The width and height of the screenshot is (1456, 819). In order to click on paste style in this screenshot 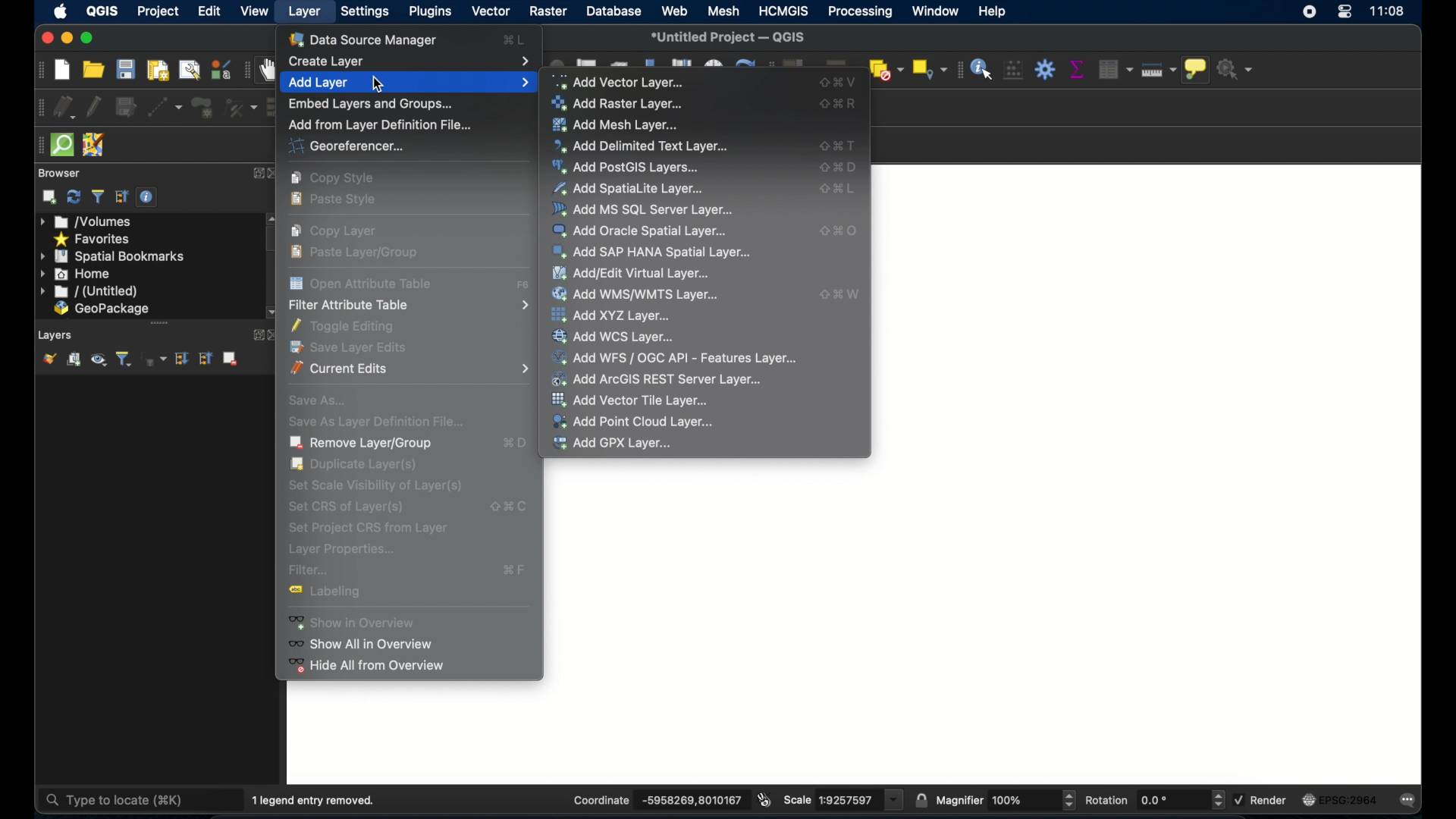, I will do `click(338, 201)`.